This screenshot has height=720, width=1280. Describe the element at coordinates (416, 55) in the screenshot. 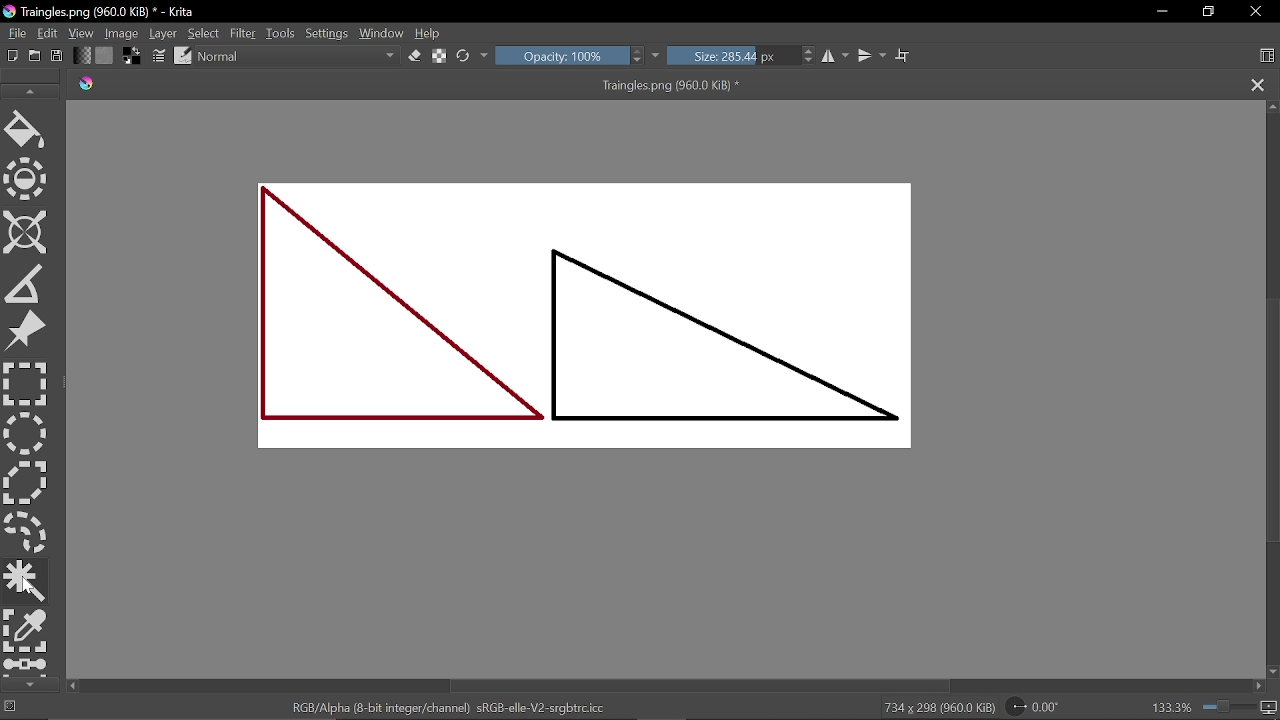

I see `Eraser tool` at that location.